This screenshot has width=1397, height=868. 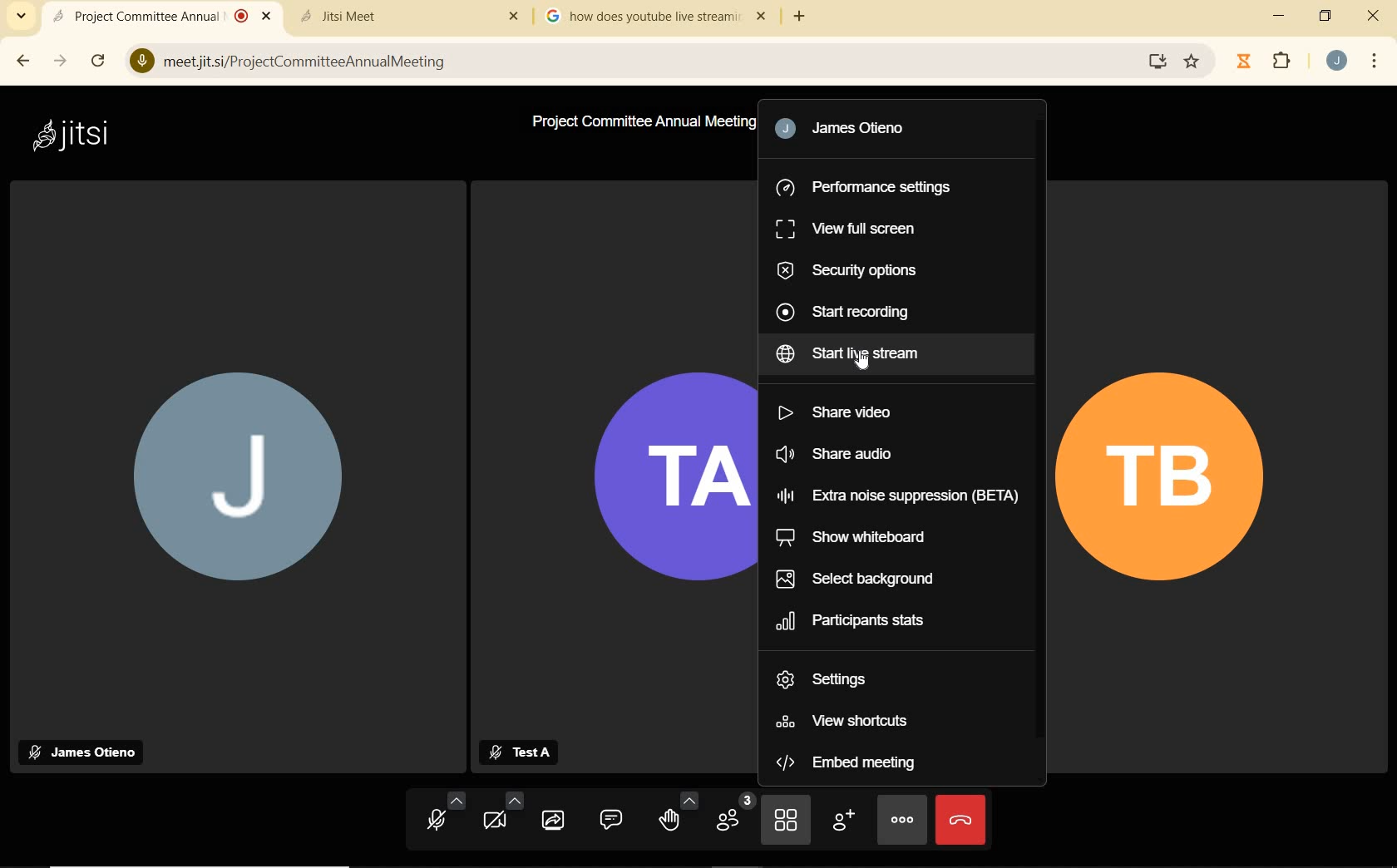 I want to click on Test A, so click(x=521, y=752).